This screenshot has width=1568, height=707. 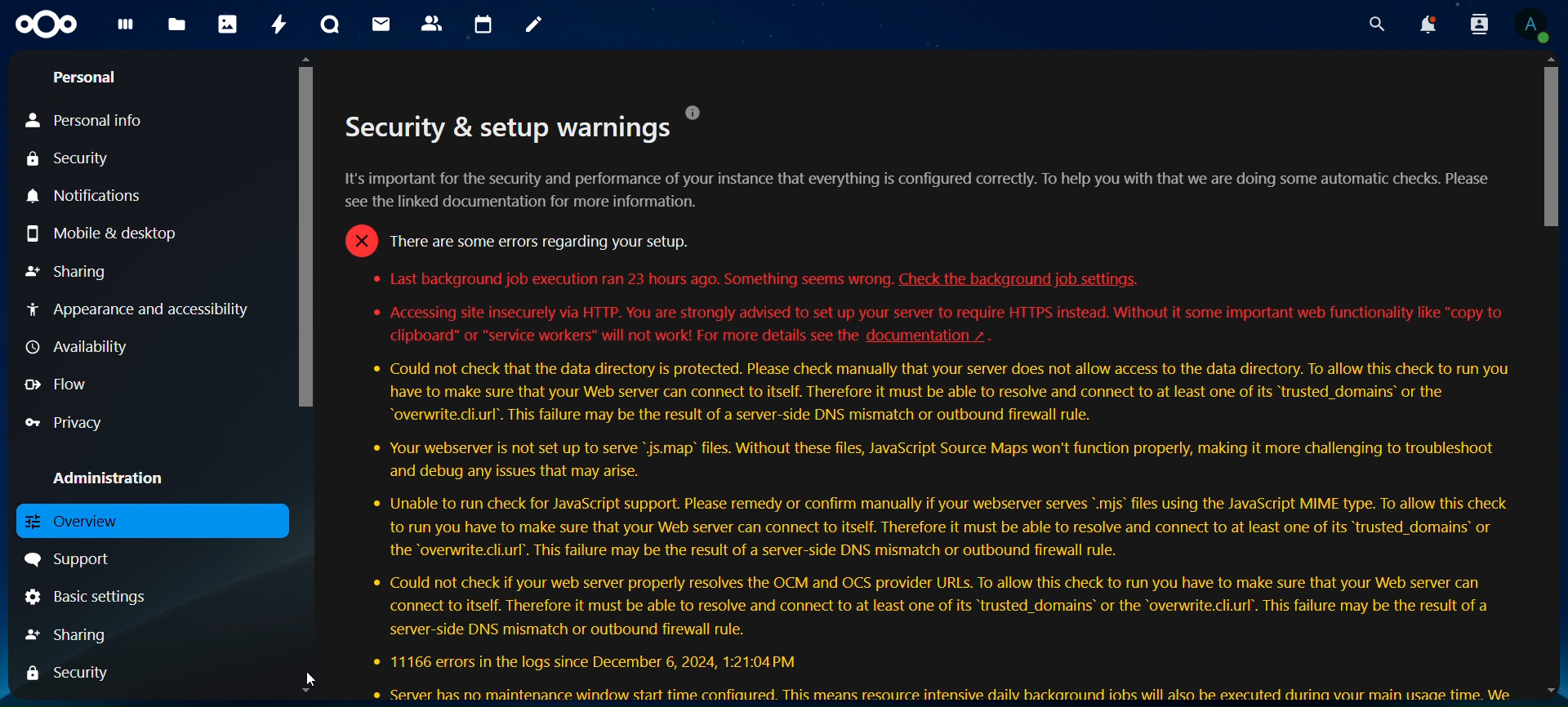 What do you see at coordinates (127, 27) in the screenshot?
I see `dashboard` at bounding box center [127, 27].